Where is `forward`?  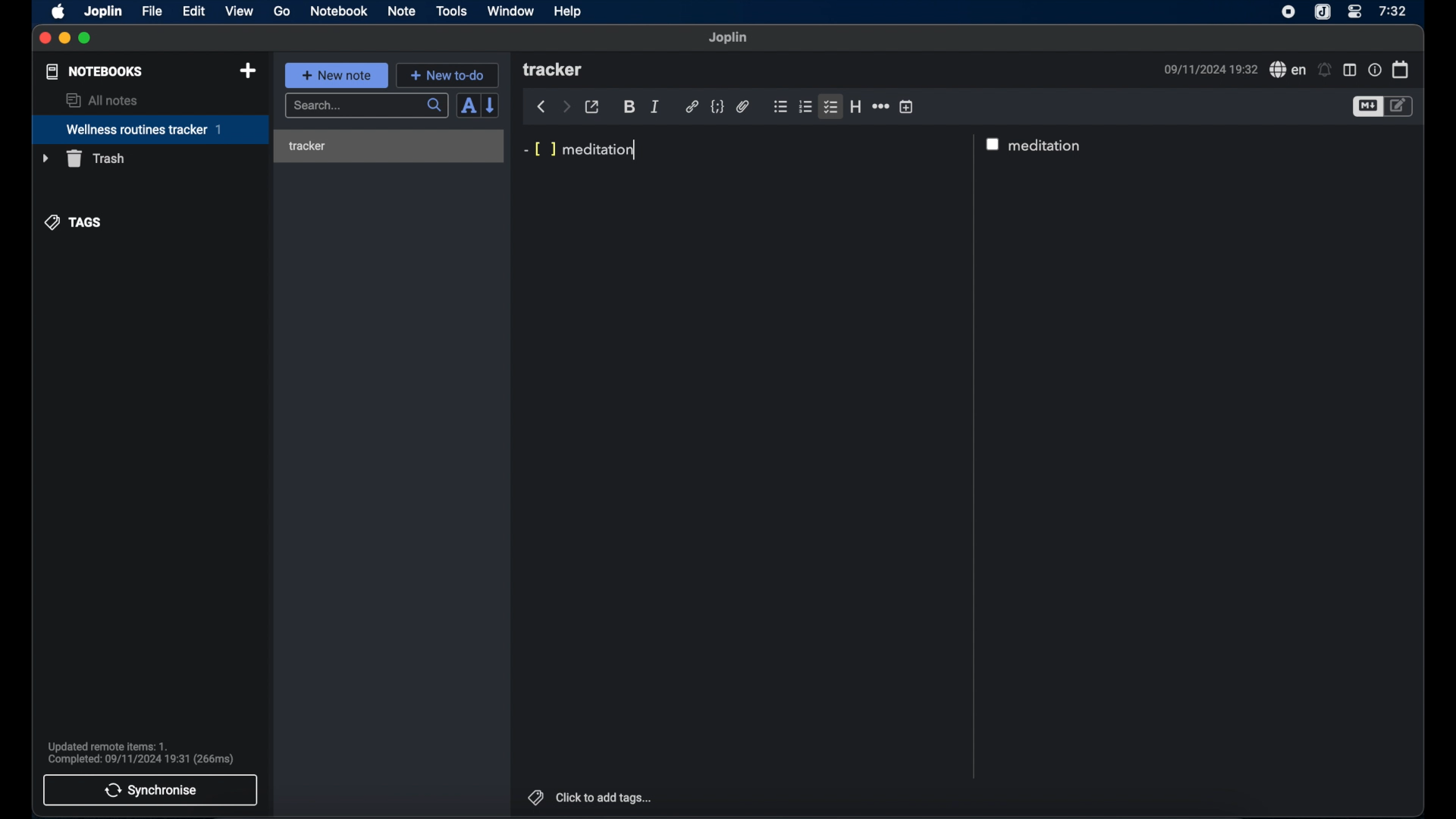 forward is located at coordinates (566, 106).